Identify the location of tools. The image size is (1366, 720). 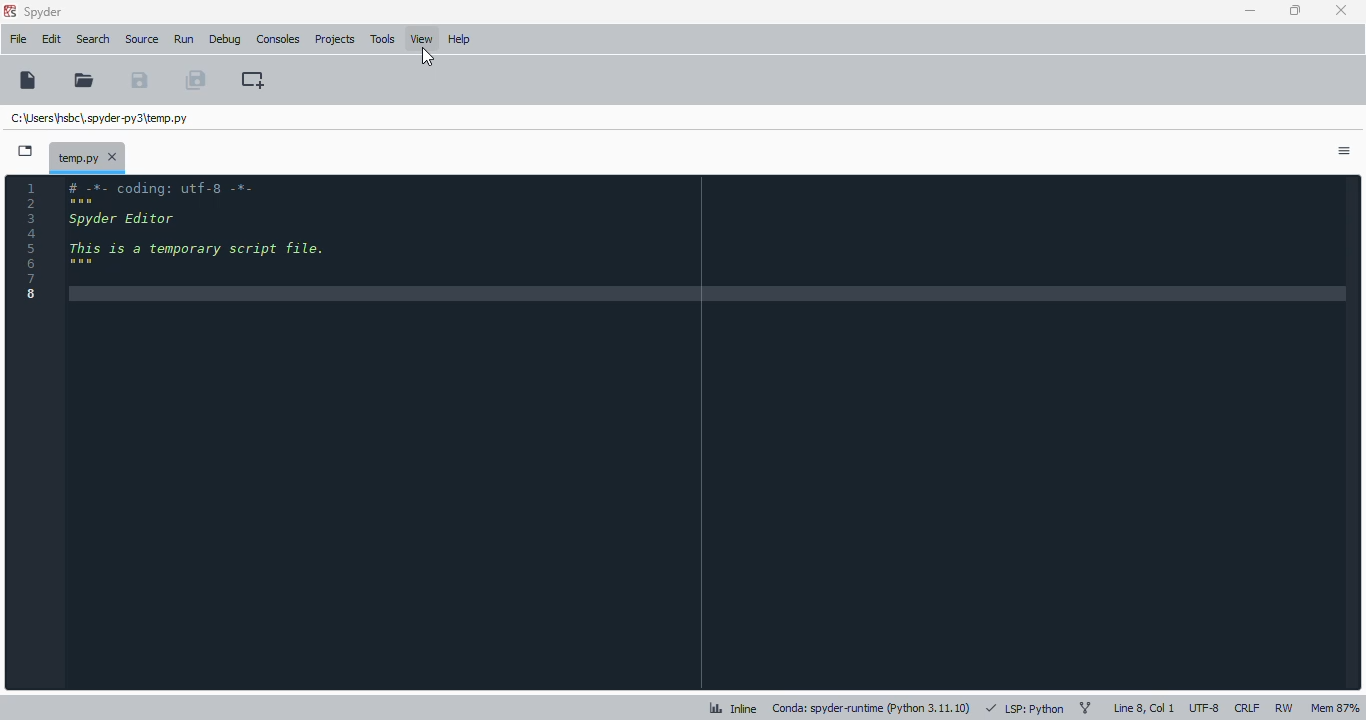
(381, 39).